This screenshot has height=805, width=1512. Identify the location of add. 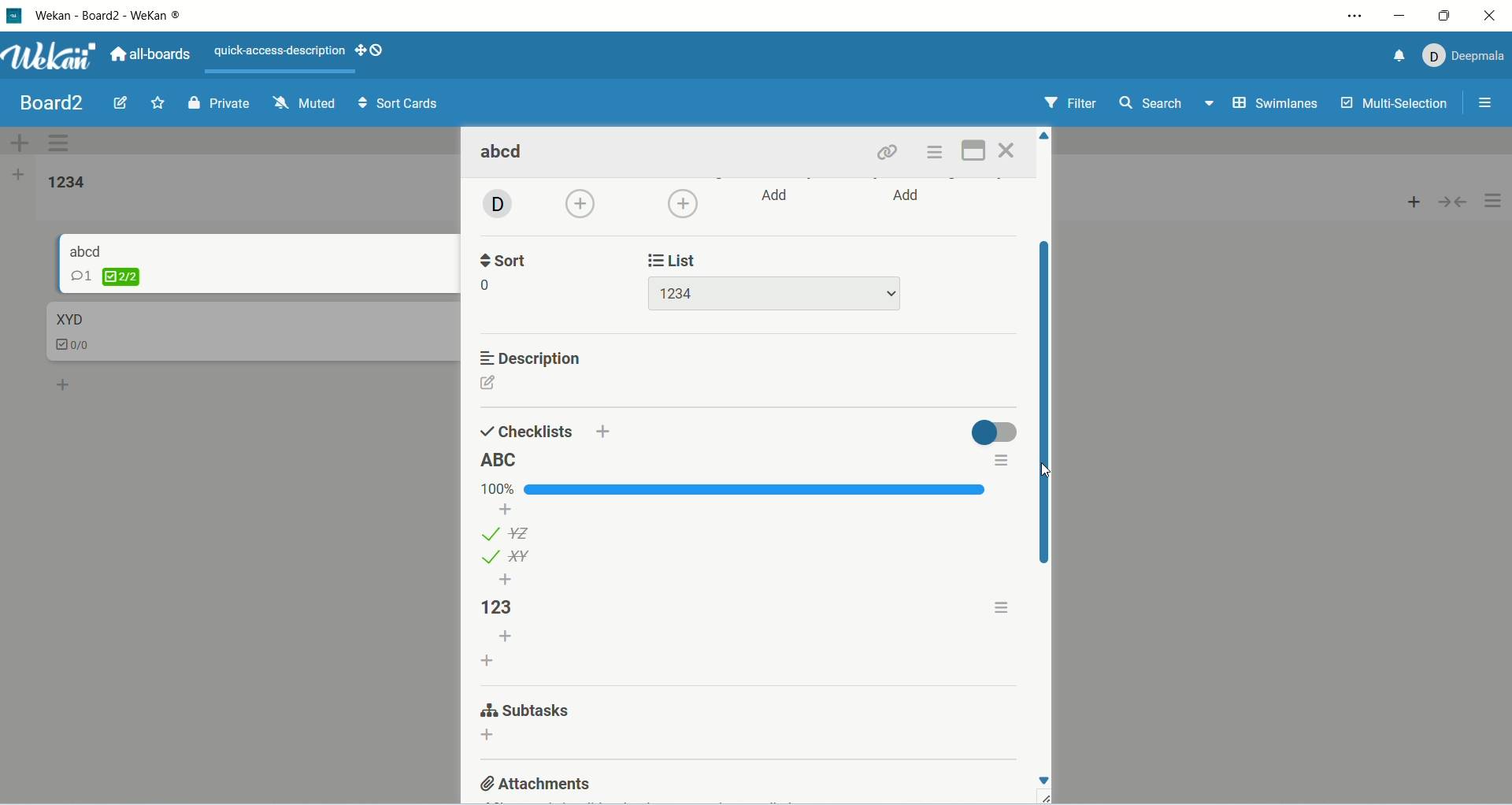
(508, 509).